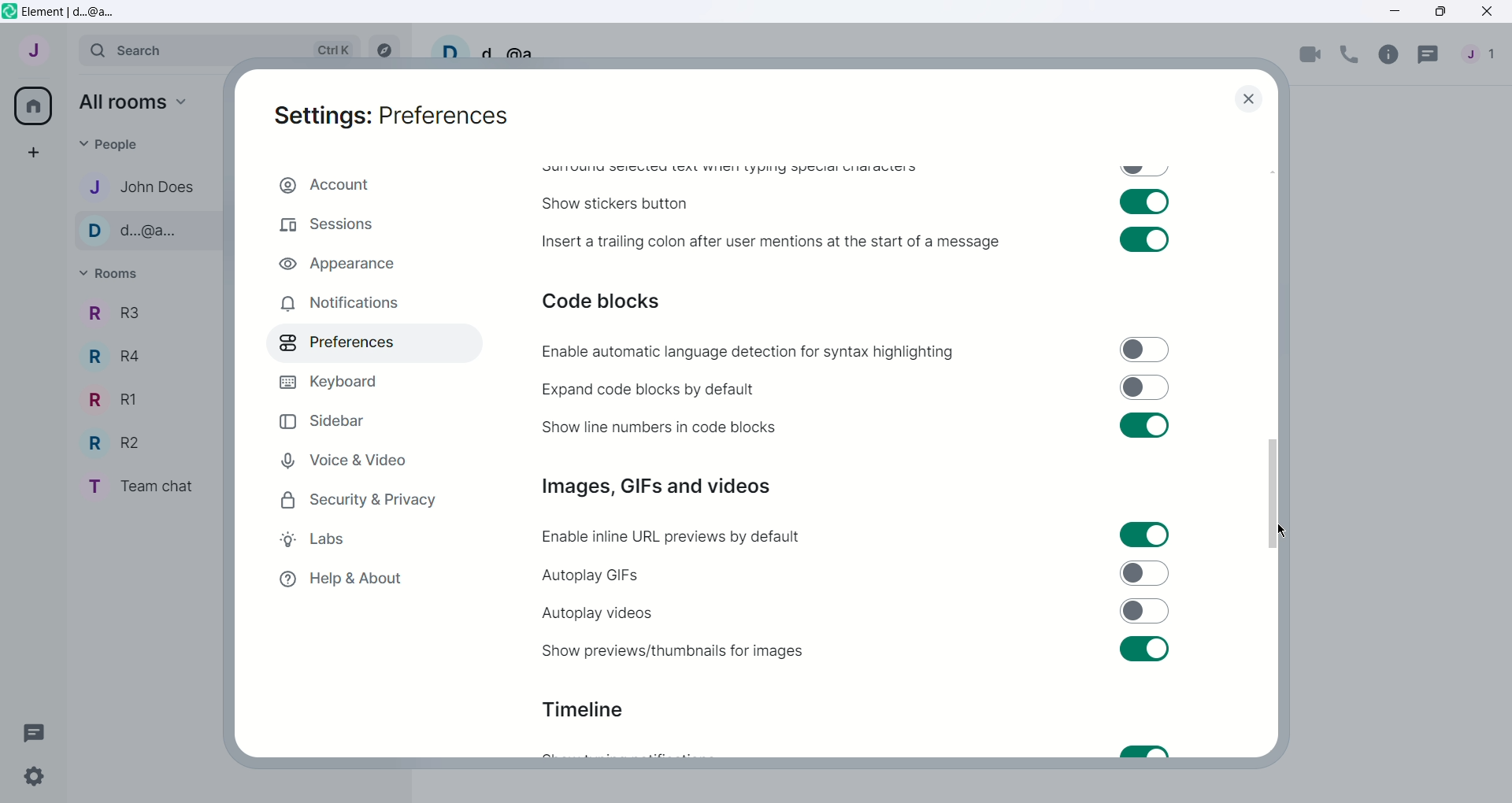 The height and width of the screenshot is (803, 1512). I want to click on Team chat - room name, so click(148, 486).